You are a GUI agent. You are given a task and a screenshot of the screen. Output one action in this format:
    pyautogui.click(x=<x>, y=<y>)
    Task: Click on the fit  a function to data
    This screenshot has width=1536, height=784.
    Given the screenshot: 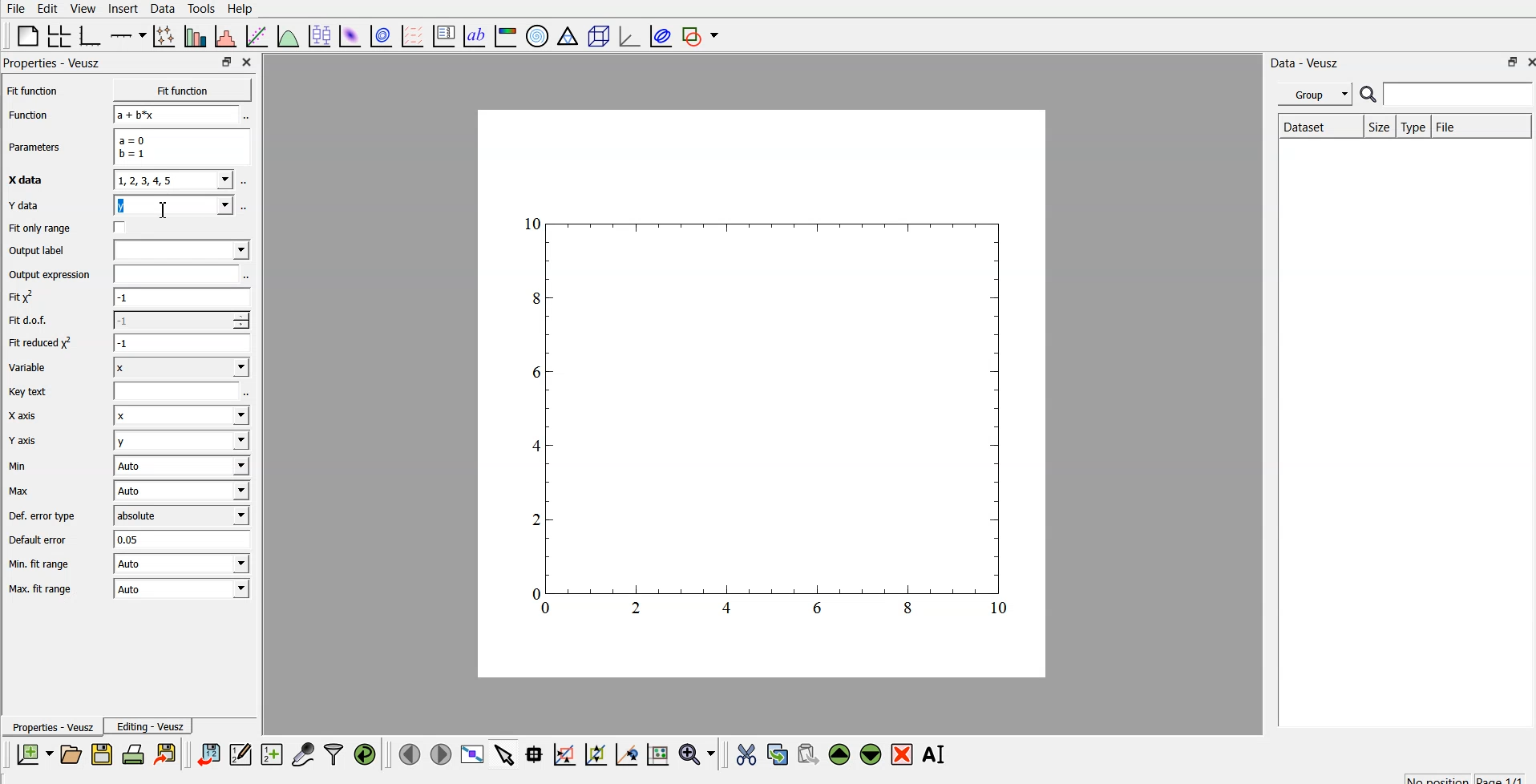 What is the action you would take?
    pyautogui.click(x=256, y=38)
    